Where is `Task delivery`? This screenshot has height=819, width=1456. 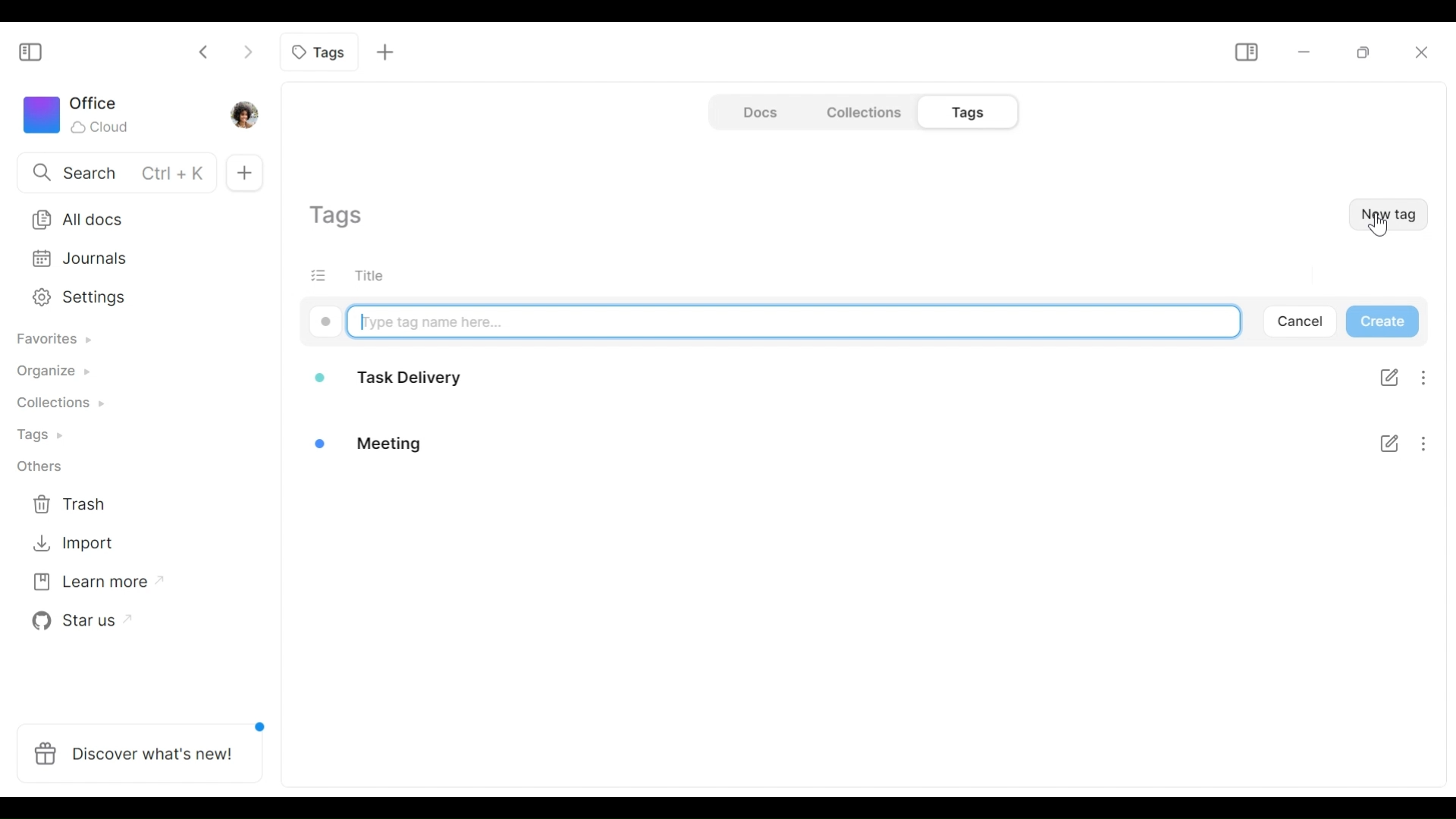
Task delivery is located at coordinates (394, 378).